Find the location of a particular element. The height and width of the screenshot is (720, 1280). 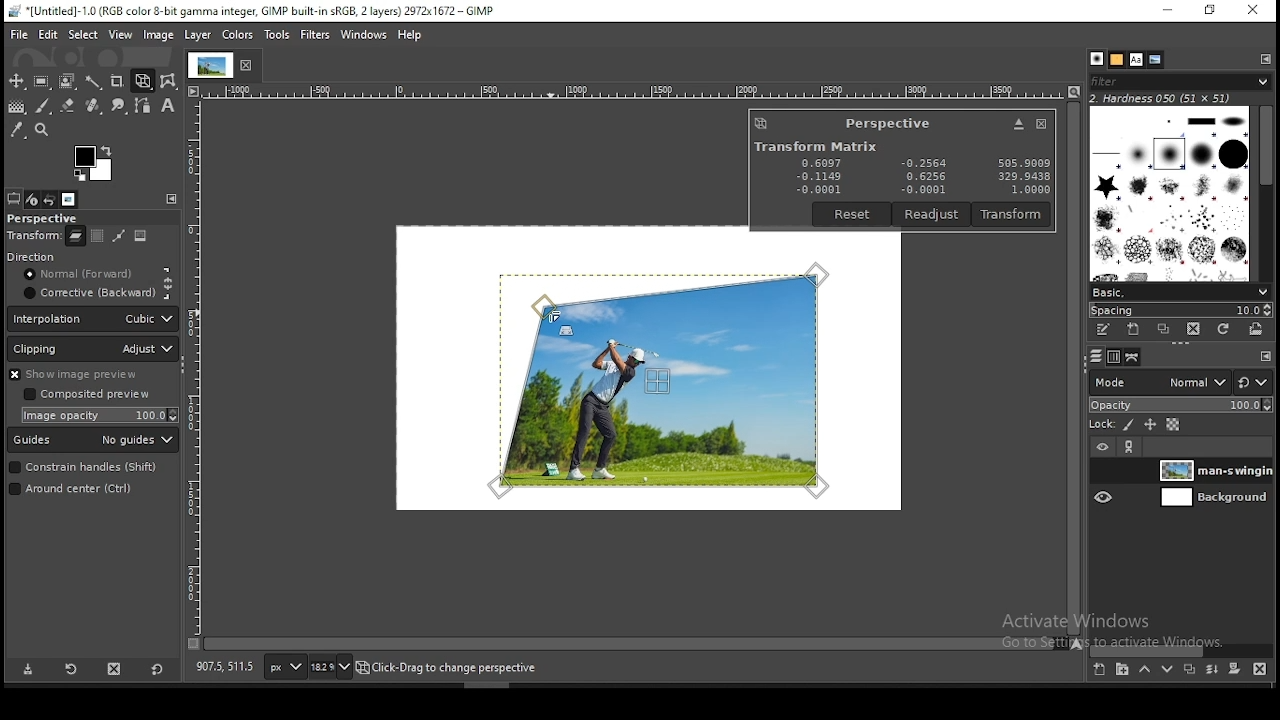

filters is located at coordinates (314, 34).